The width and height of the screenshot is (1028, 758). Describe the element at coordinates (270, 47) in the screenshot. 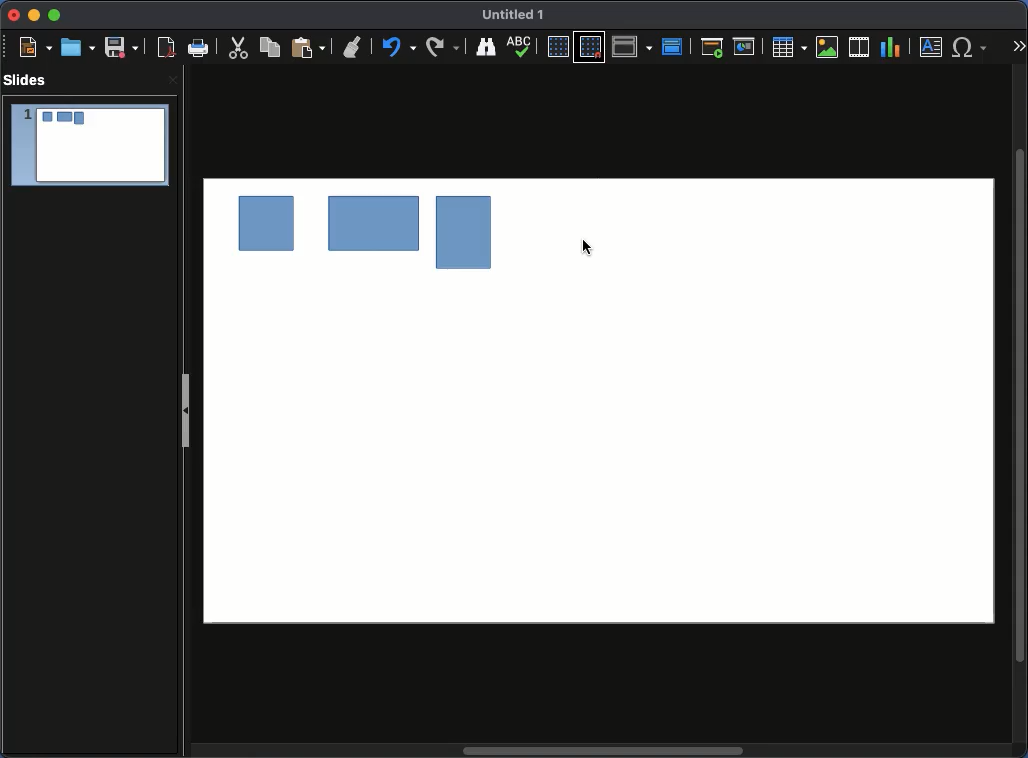

I see `Copy` at that location.